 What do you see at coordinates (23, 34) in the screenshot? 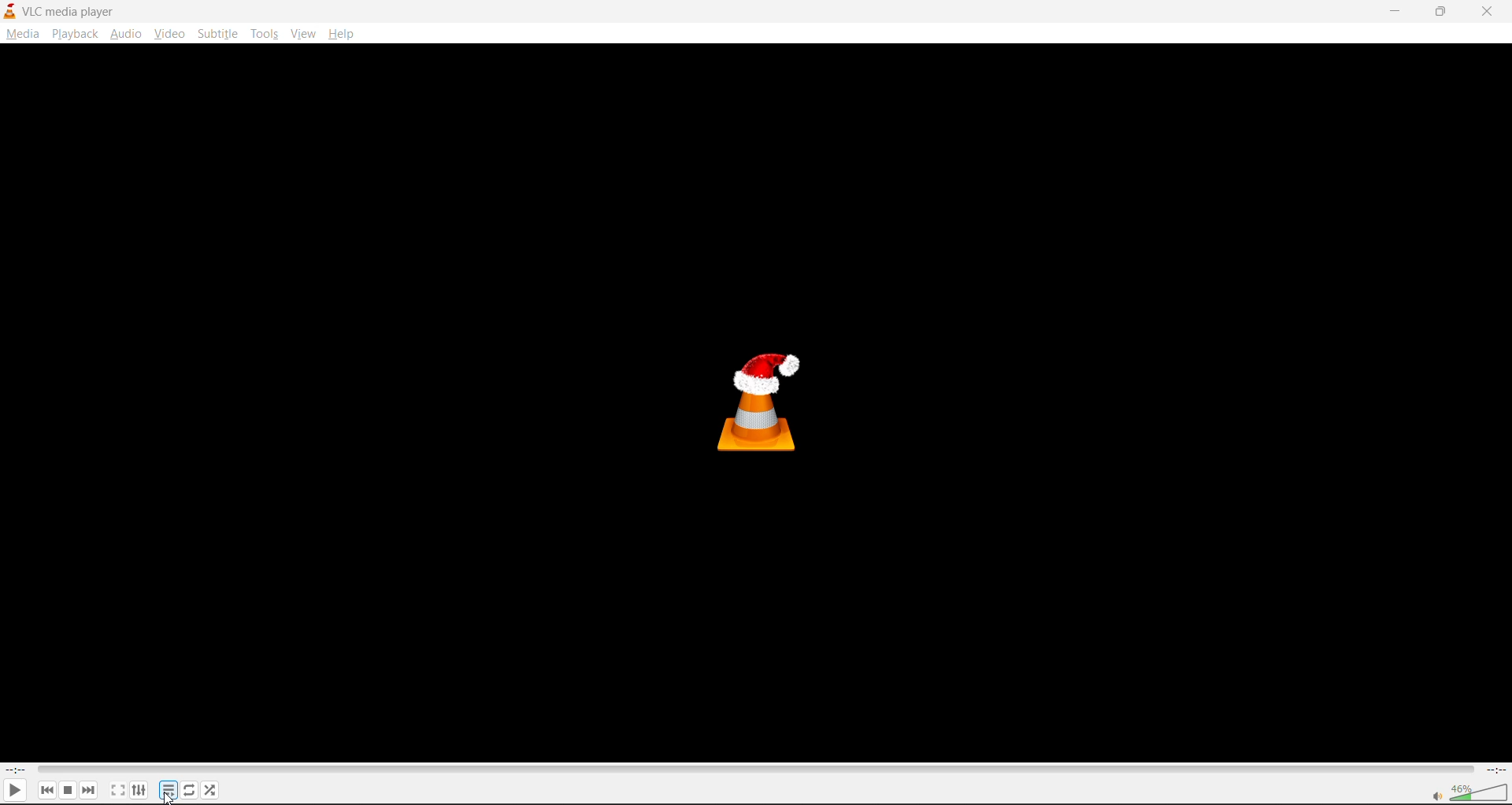
I see `media` at bounding box center [23, 34].